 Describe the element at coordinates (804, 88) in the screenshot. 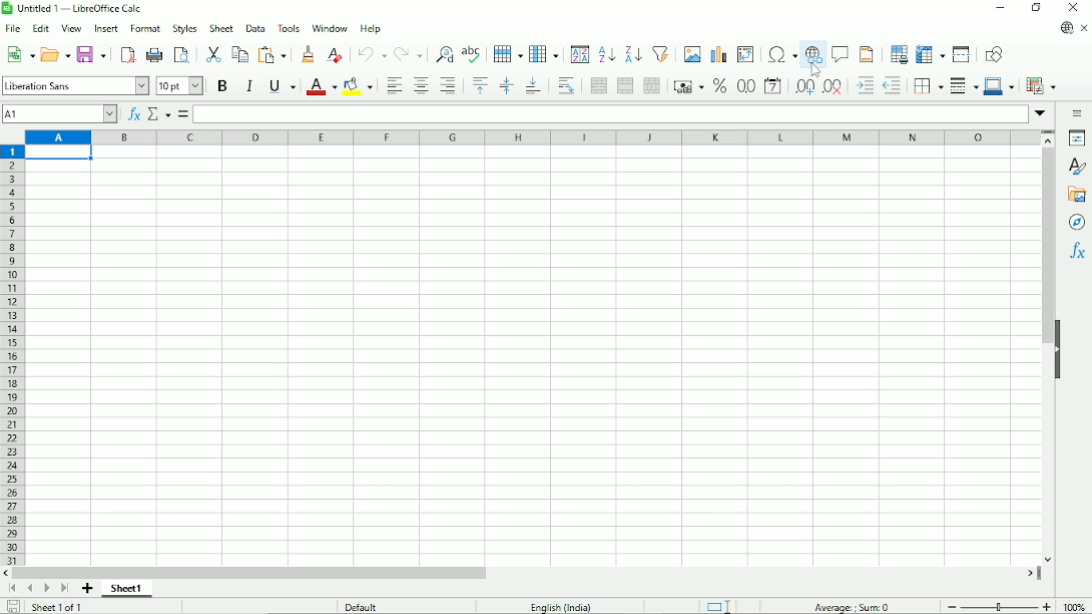

I see `Add decimal place` at that location.